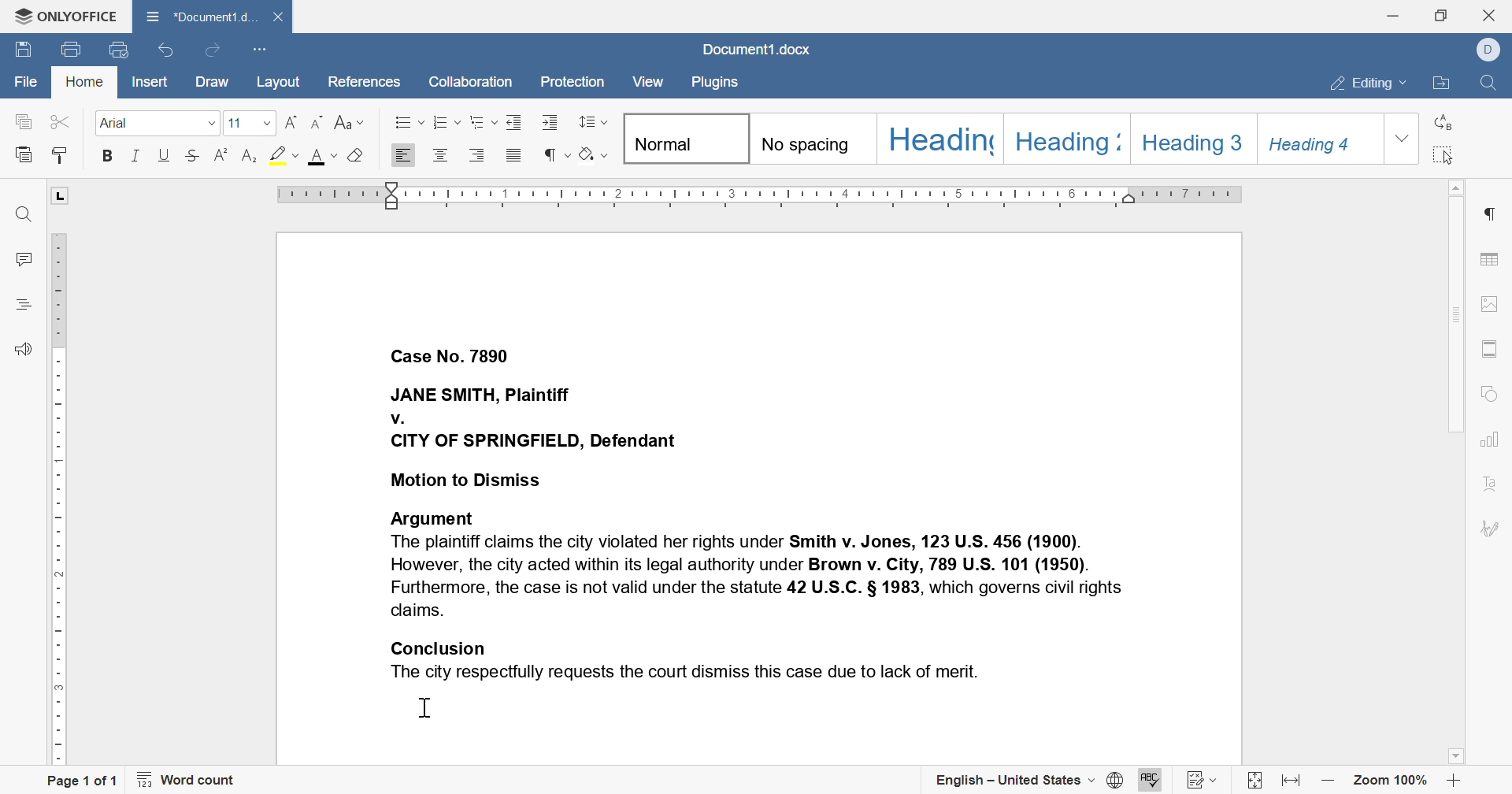  I want to click on draw, so click(215, 82).